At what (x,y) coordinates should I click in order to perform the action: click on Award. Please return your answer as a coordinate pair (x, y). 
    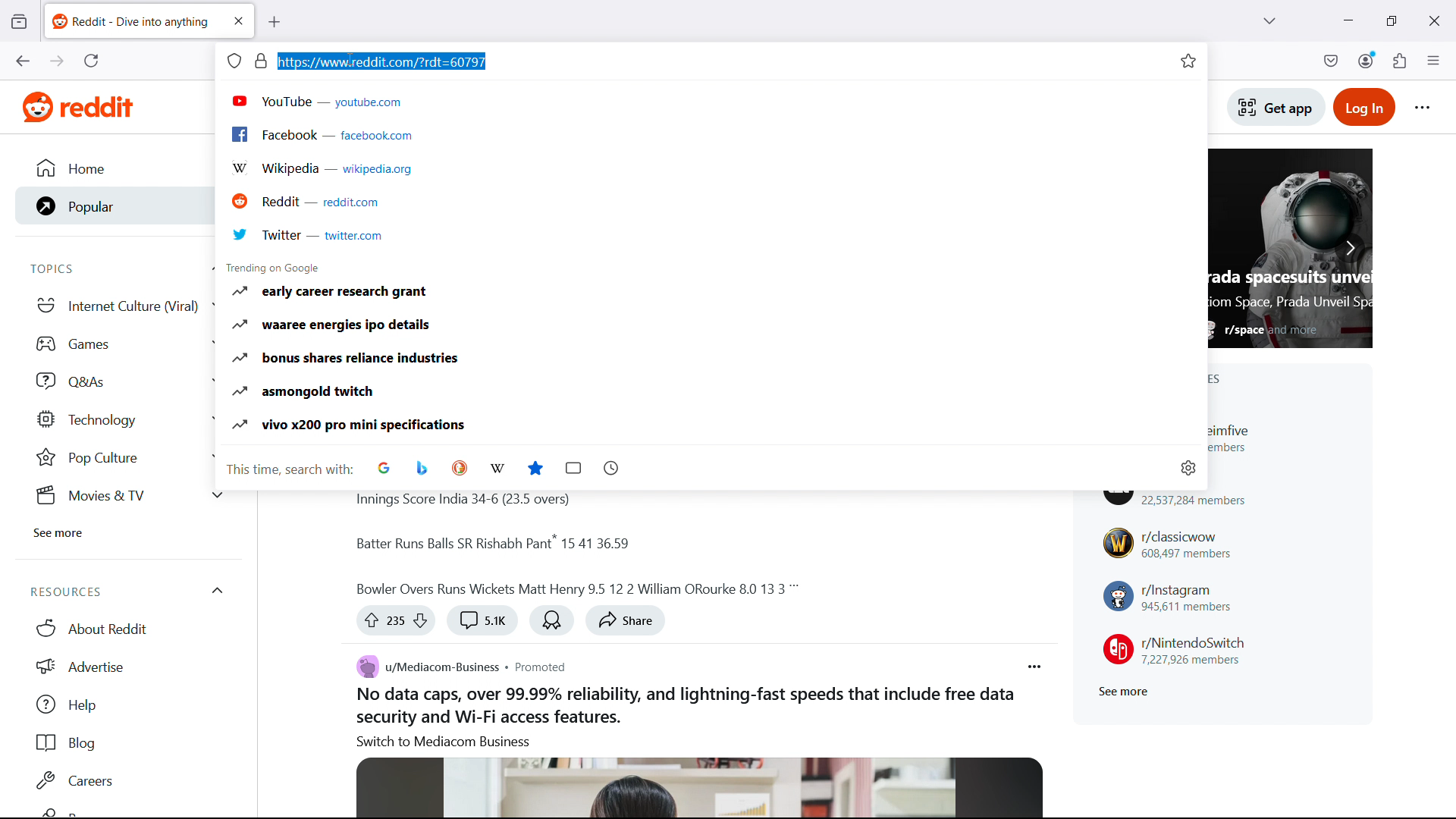
    Looking at the image, I should click on (552, 620).